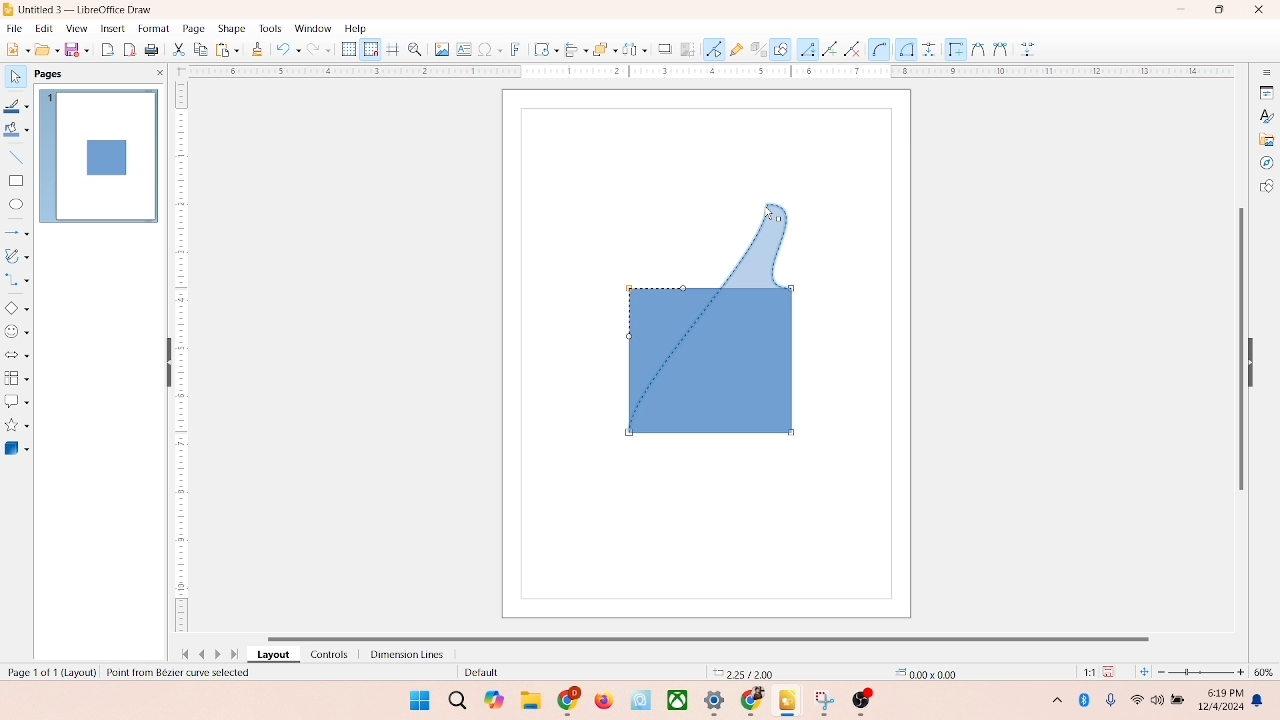 This screenshot has width=1280, height=720. I want to click on allign, so click(572, 47).